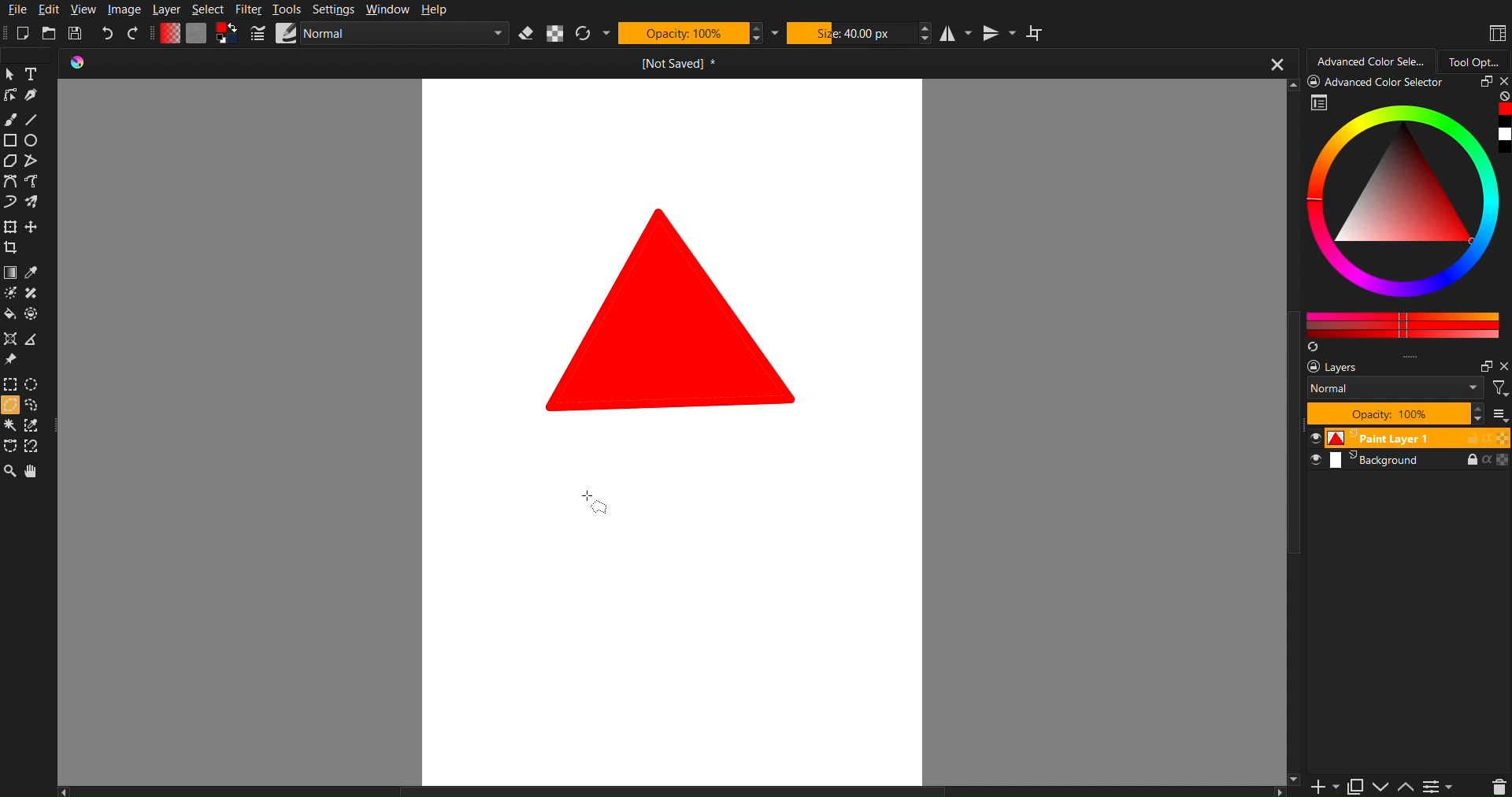 The width and height of the screenshot is (1512, 797). What do you see at coordinates (435, 11) in the screenshot?
I see `Help` at bounding box center [435, 11].